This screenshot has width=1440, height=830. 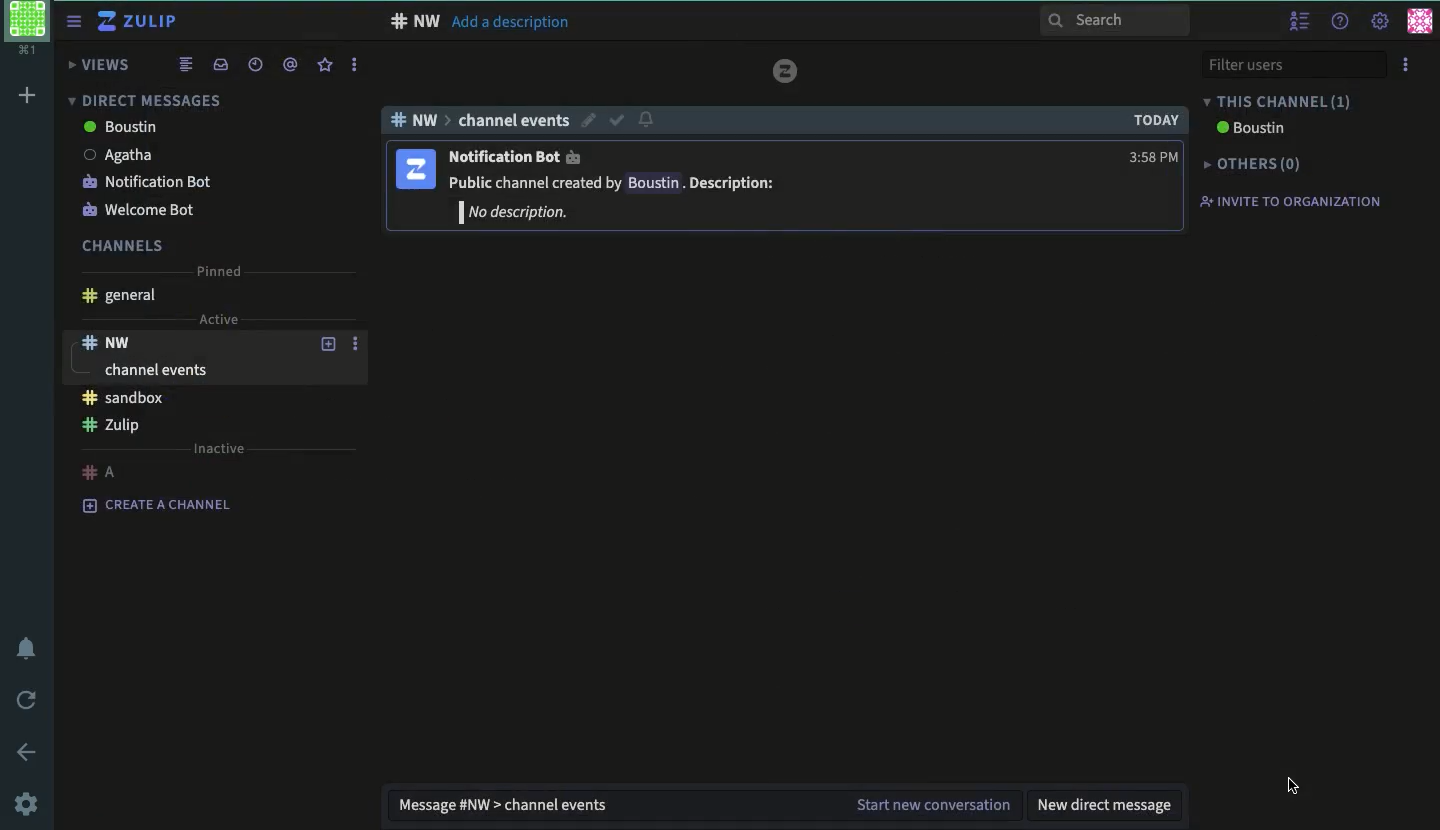 I want to click on views, so click(x=95, y=66).